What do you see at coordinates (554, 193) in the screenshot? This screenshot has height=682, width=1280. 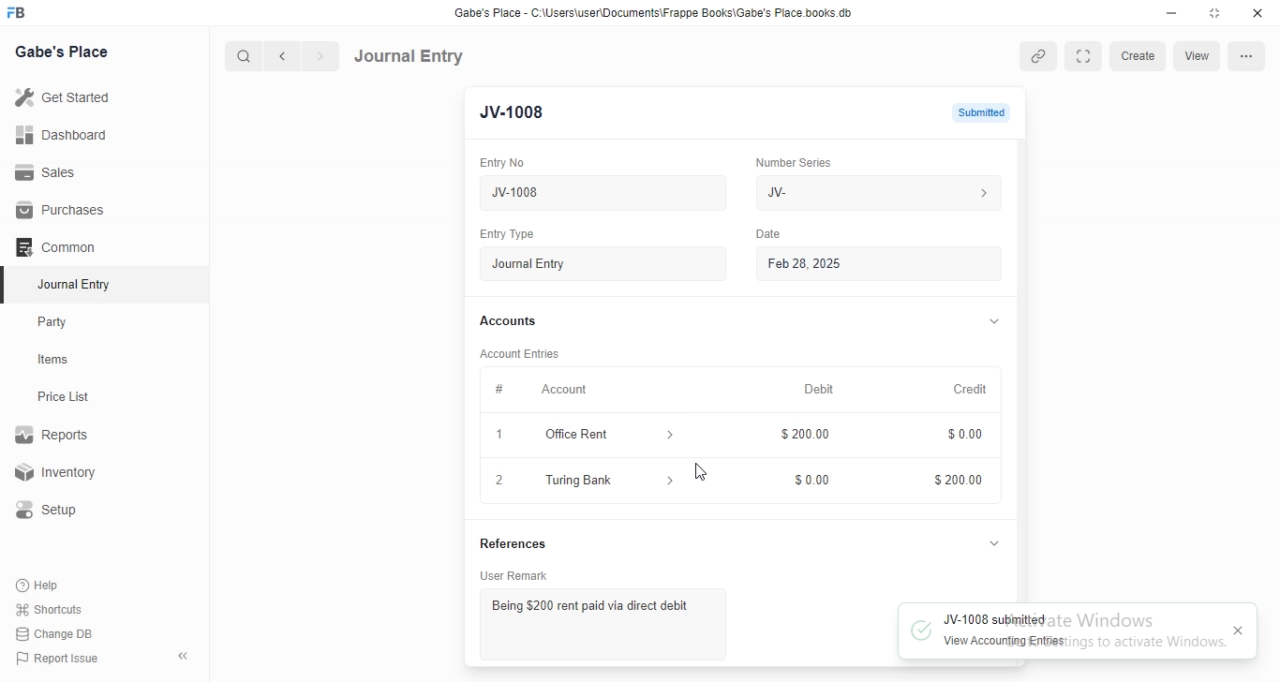 I see `Jv-1008` at bounding box center [554, 193].